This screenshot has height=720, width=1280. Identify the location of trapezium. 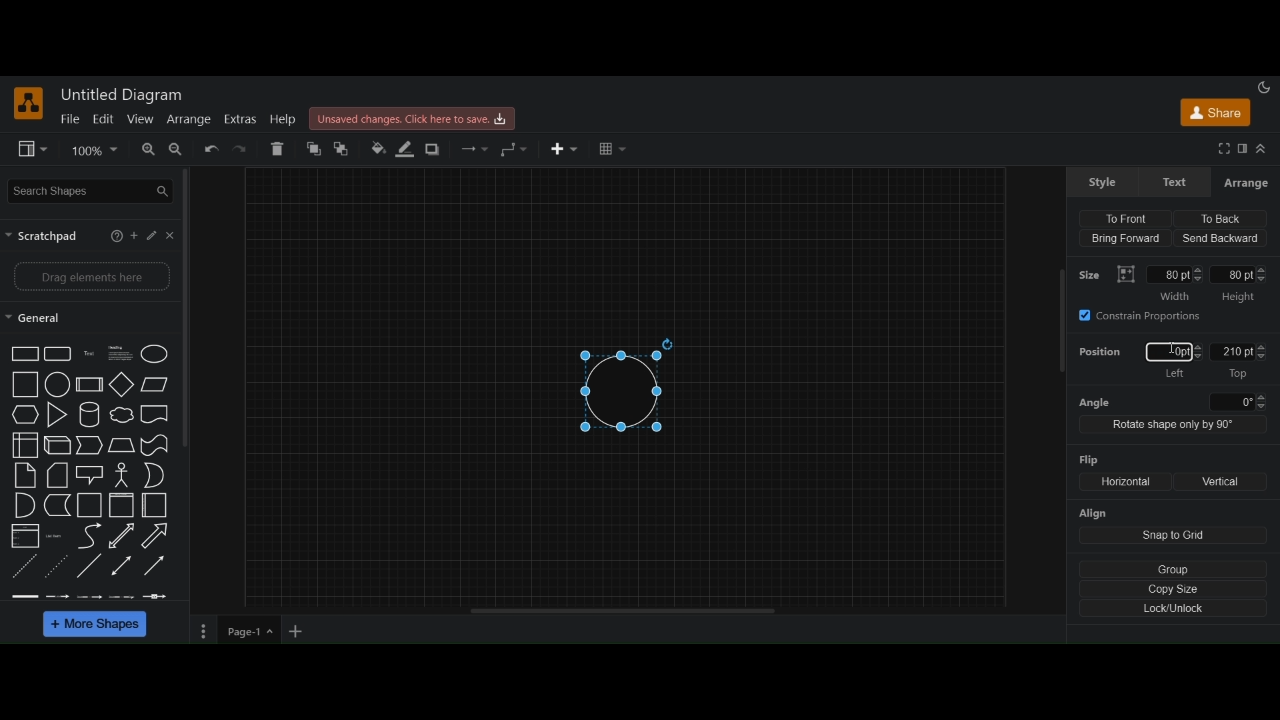
(155, 383).